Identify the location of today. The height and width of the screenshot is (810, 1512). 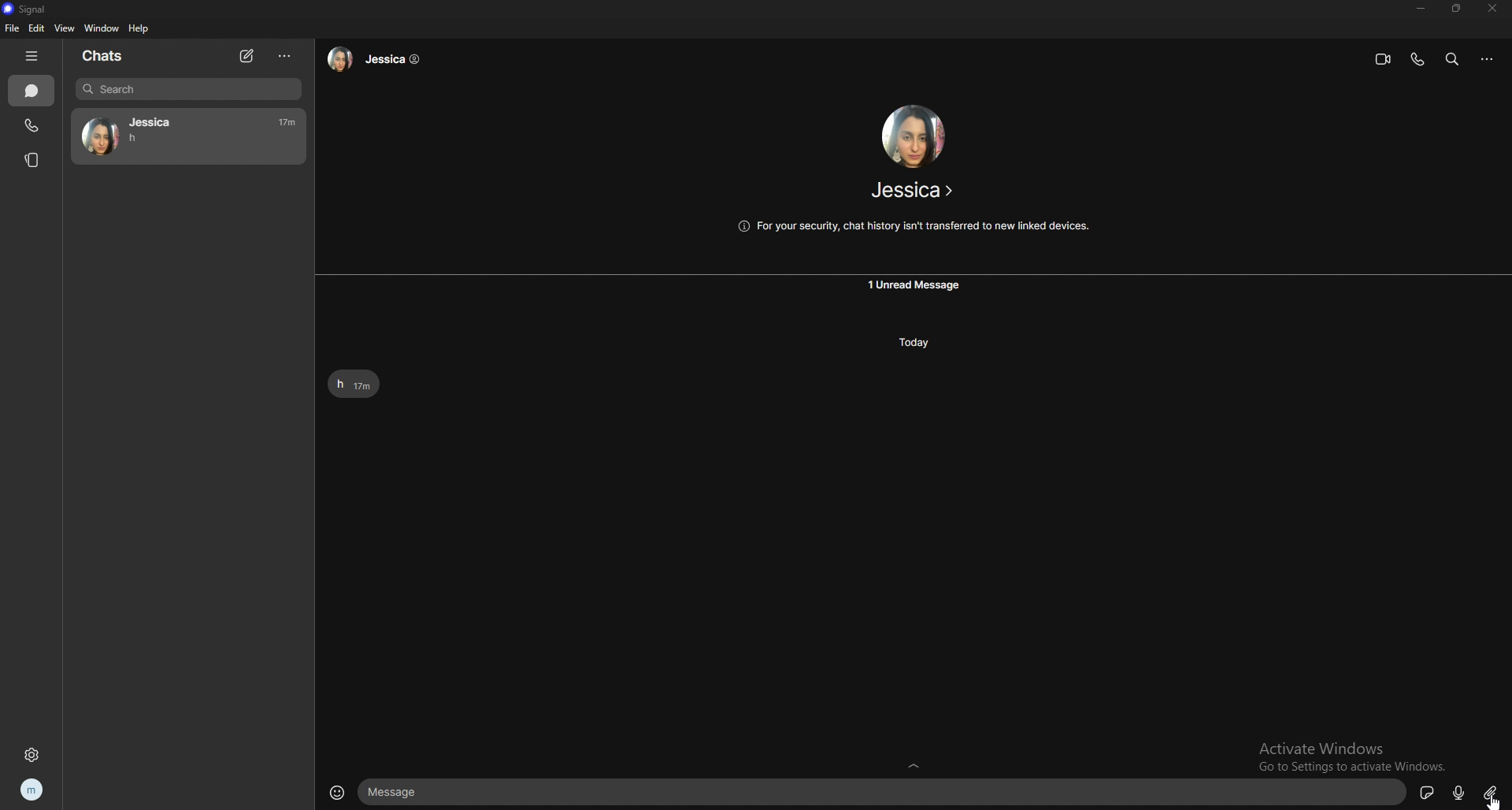
(916, 342).